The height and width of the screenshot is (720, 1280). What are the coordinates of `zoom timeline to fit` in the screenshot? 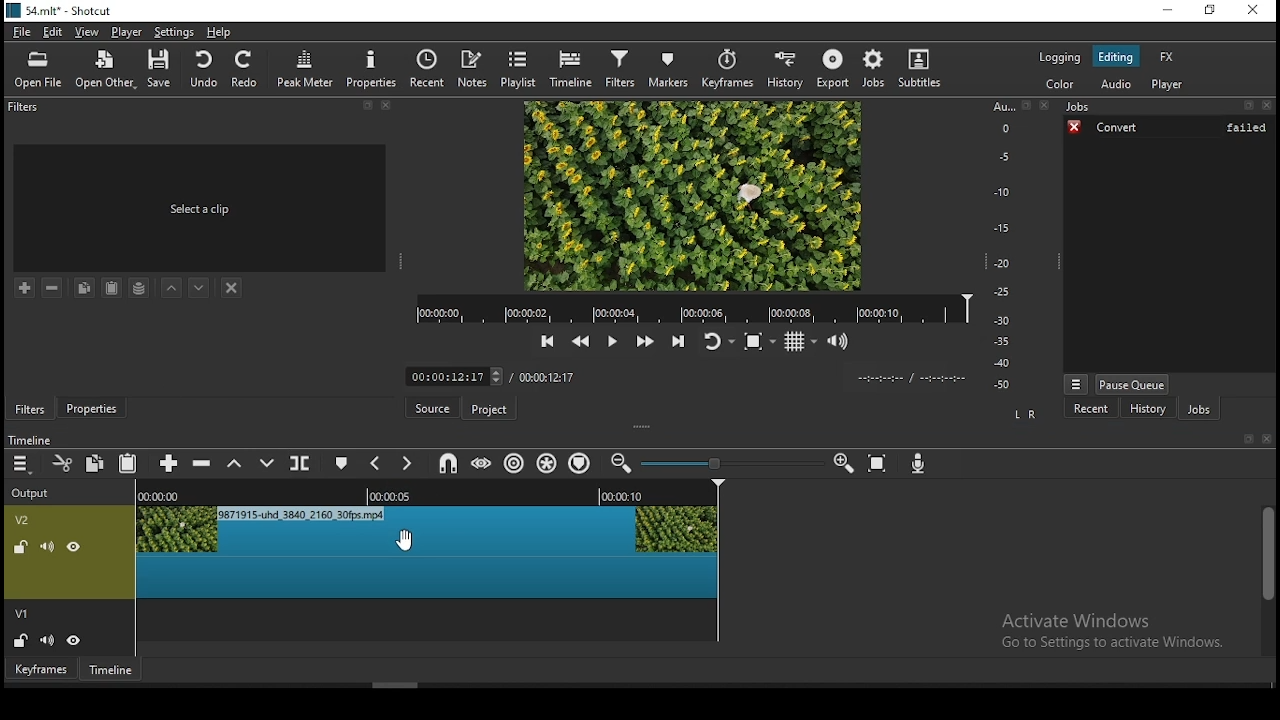 It's located at (879, 465).